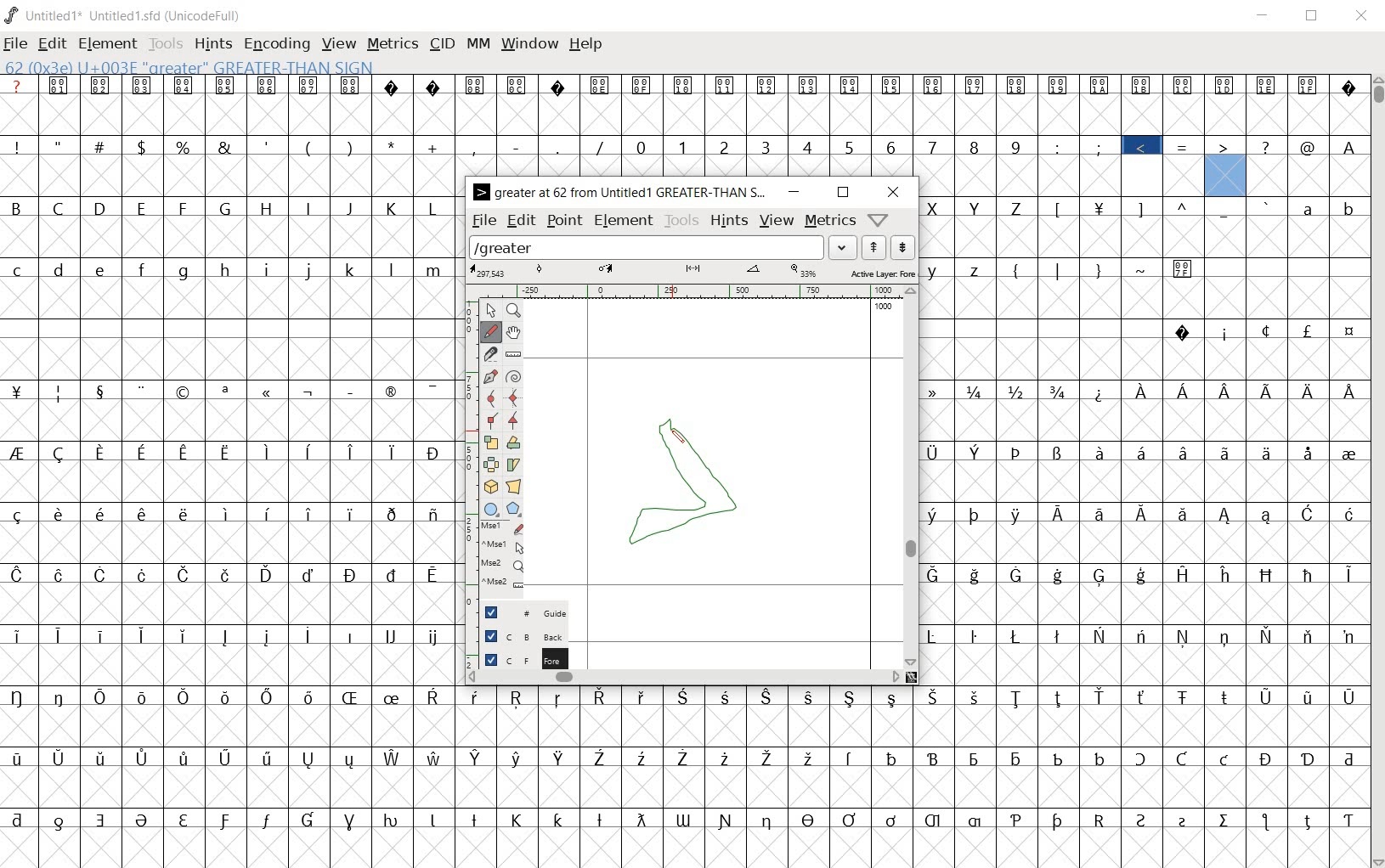 The height and width of the screenshot is (868, 1385). Describe the element at coordinates (664, 247) in the screenshot. I see `load word list` at that location.